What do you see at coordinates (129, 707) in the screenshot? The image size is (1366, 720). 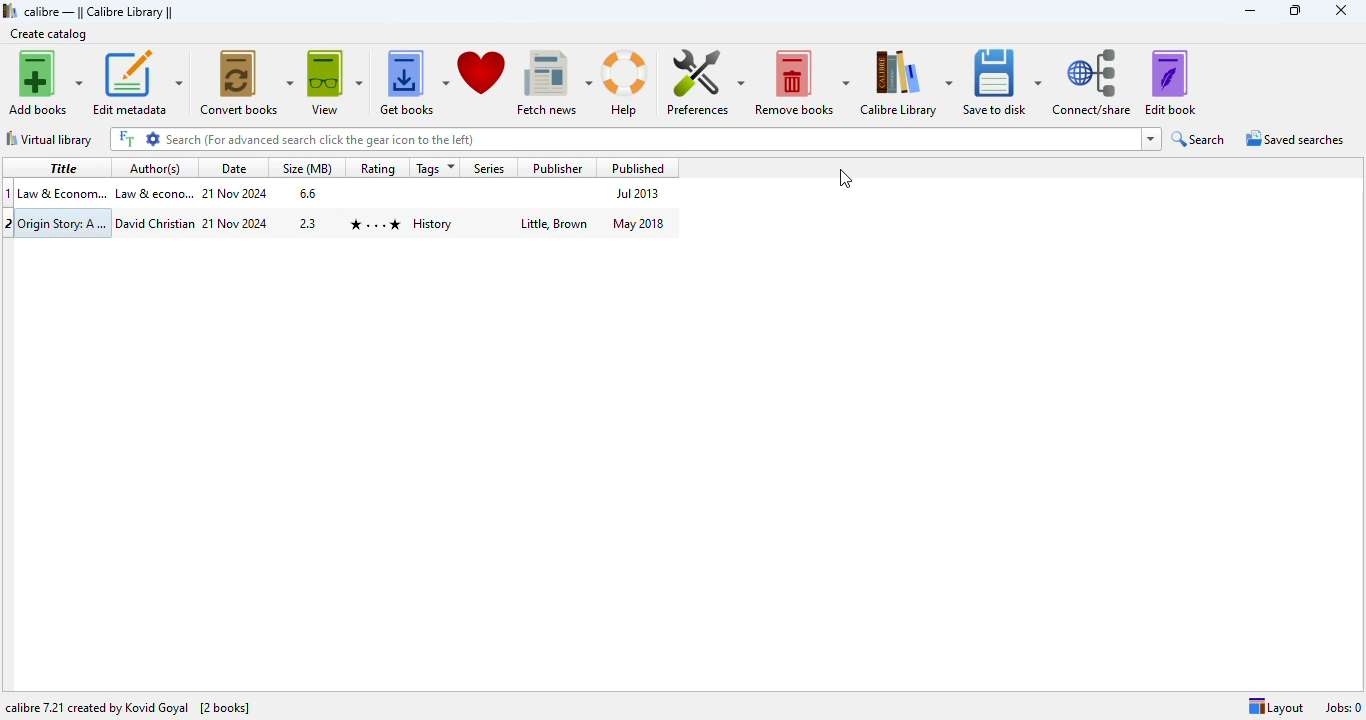 I see `calibre 7.21 created by Kovind Goyal [2 books]` at bounding box center [129, 707].